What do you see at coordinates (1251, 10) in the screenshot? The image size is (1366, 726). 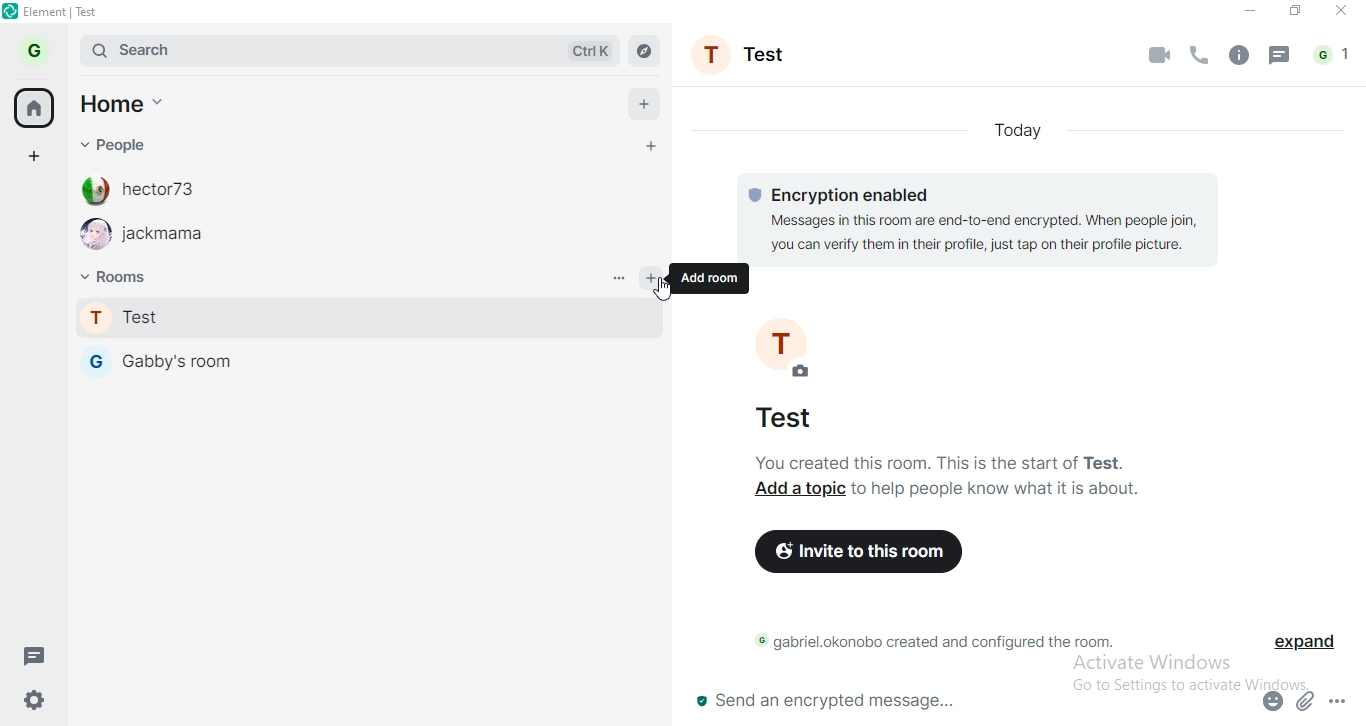 I see `minimise` at bounding box center [1251, 10].